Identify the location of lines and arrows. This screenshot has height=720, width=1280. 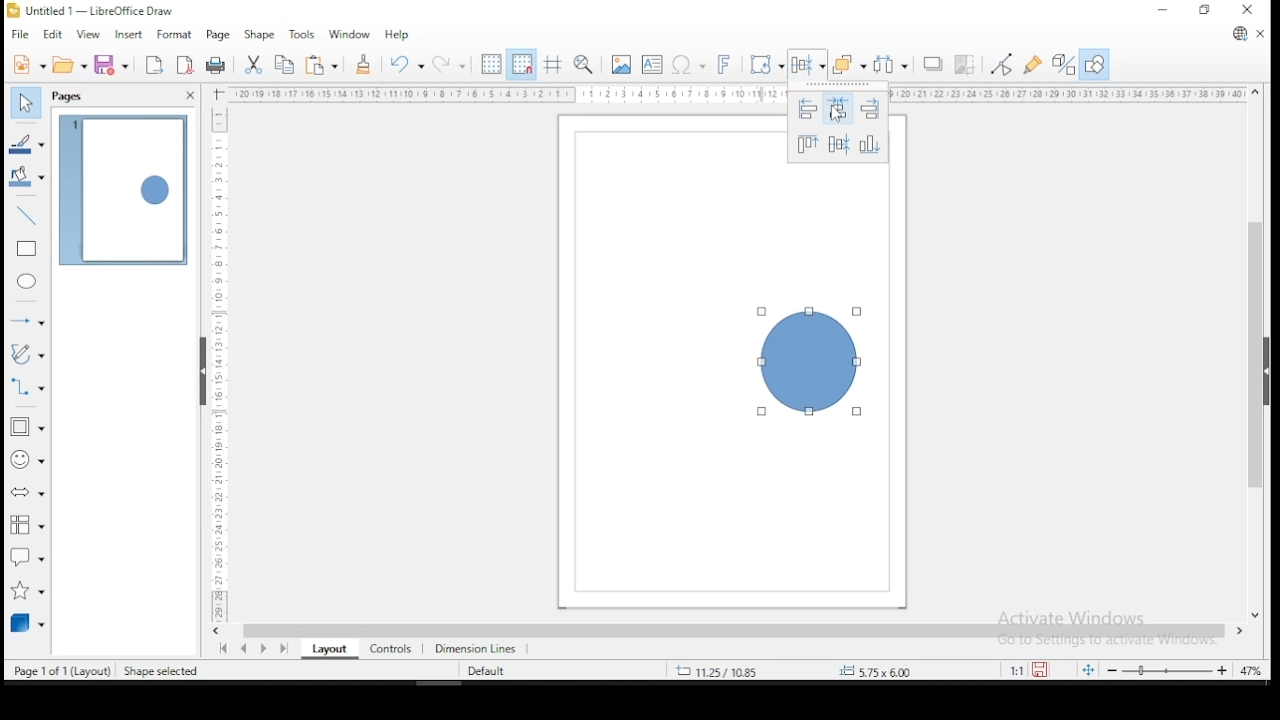
(28, 320).